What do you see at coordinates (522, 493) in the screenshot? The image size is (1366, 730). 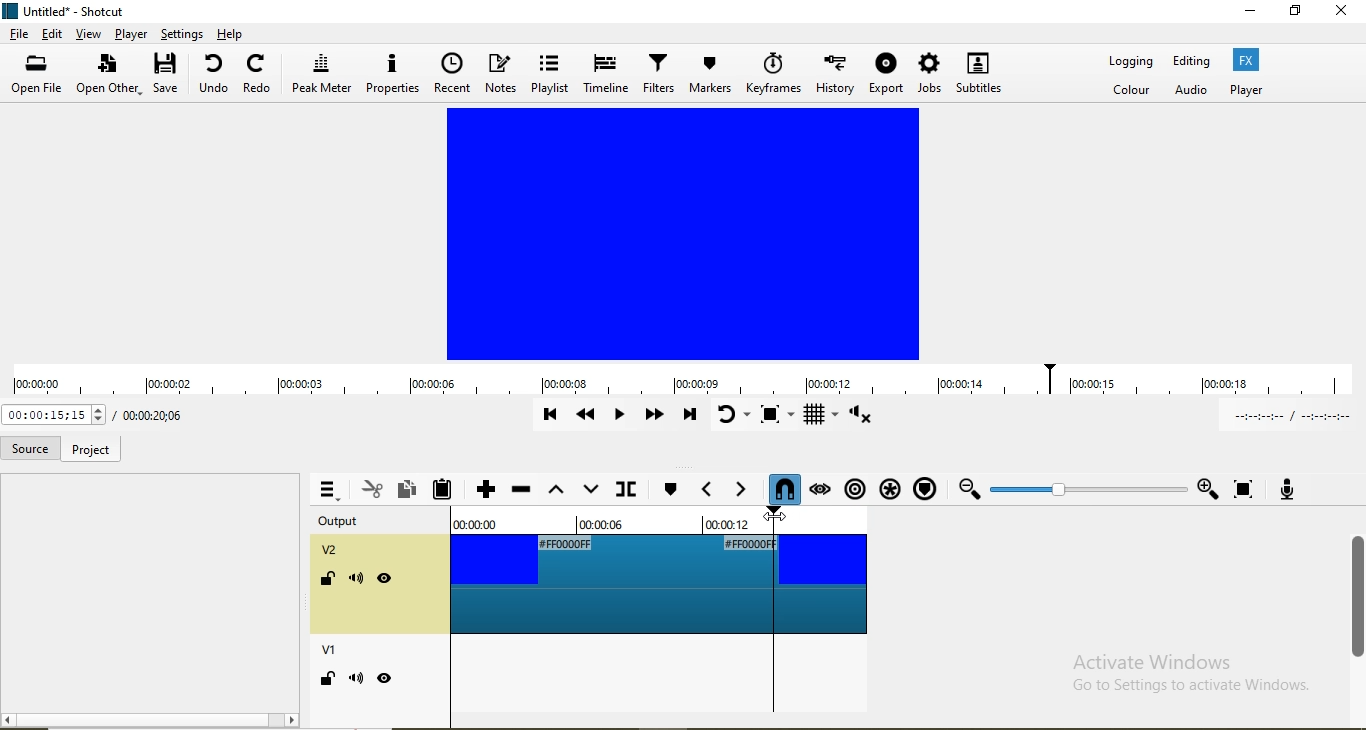 I see `Ripple delete` at bounding box center [522, 493].